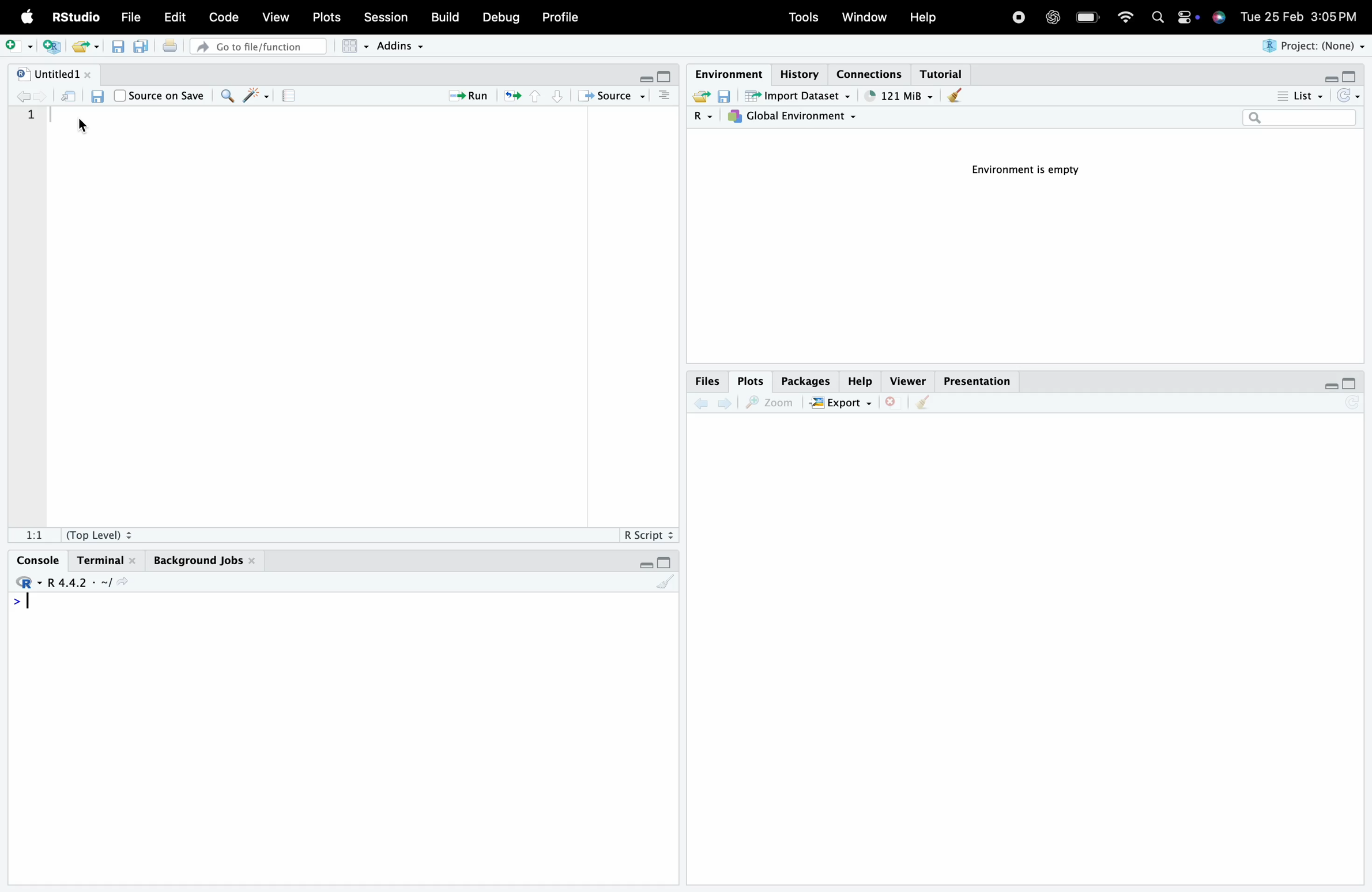 This screenshot has width=1372, height=892. I want to click on Posts, so click(328, 18).